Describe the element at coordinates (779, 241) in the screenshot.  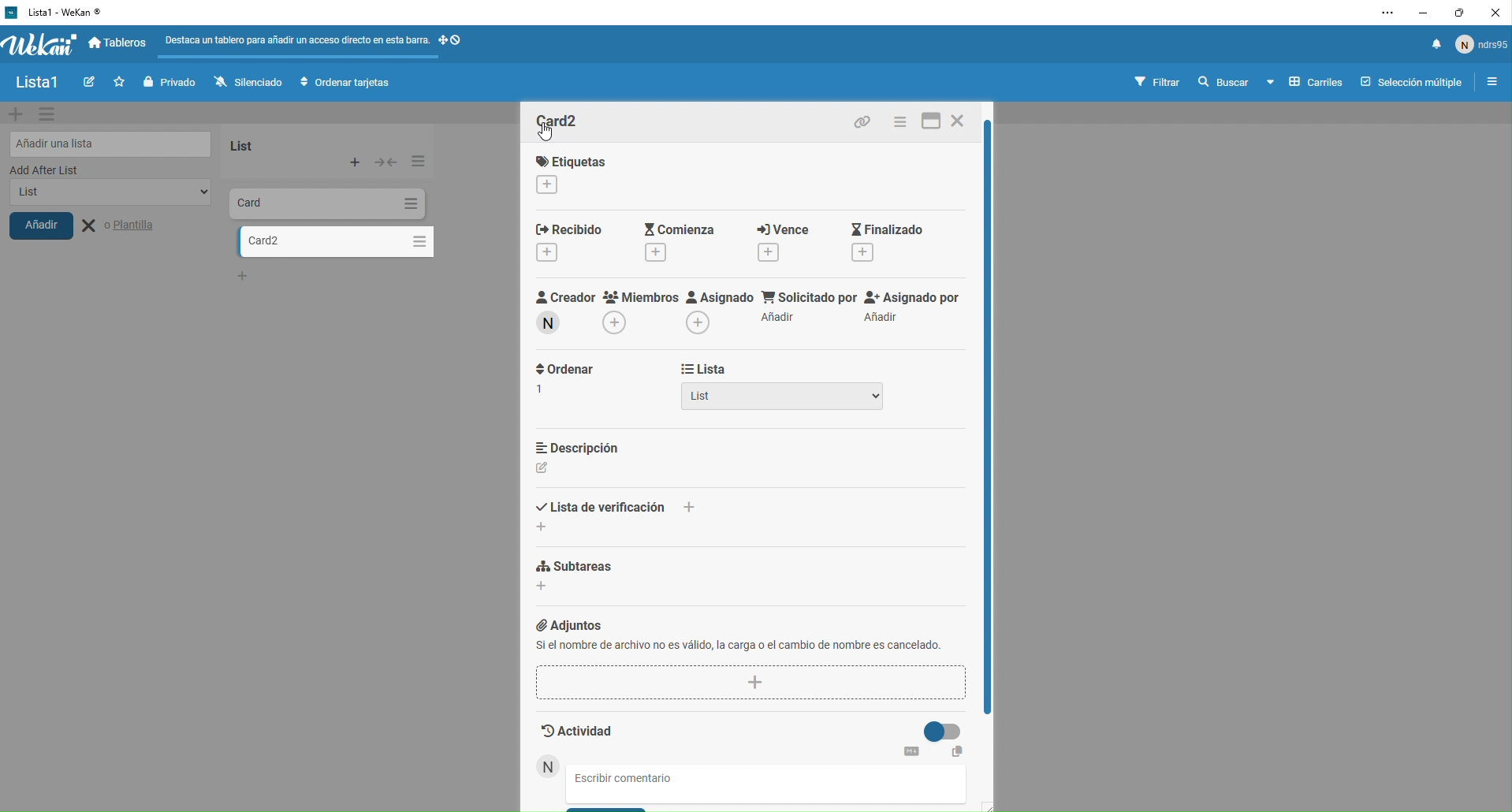
I see `vence` at that location.